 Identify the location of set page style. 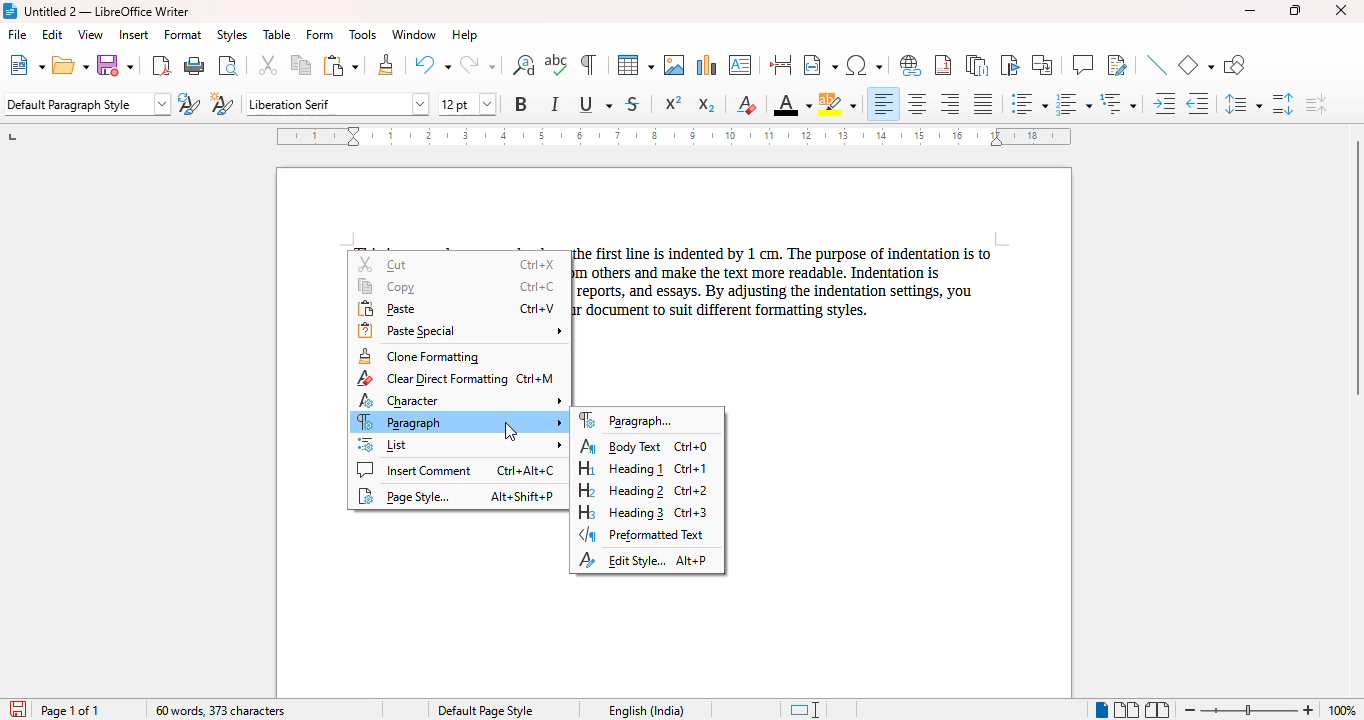
(87, 104).